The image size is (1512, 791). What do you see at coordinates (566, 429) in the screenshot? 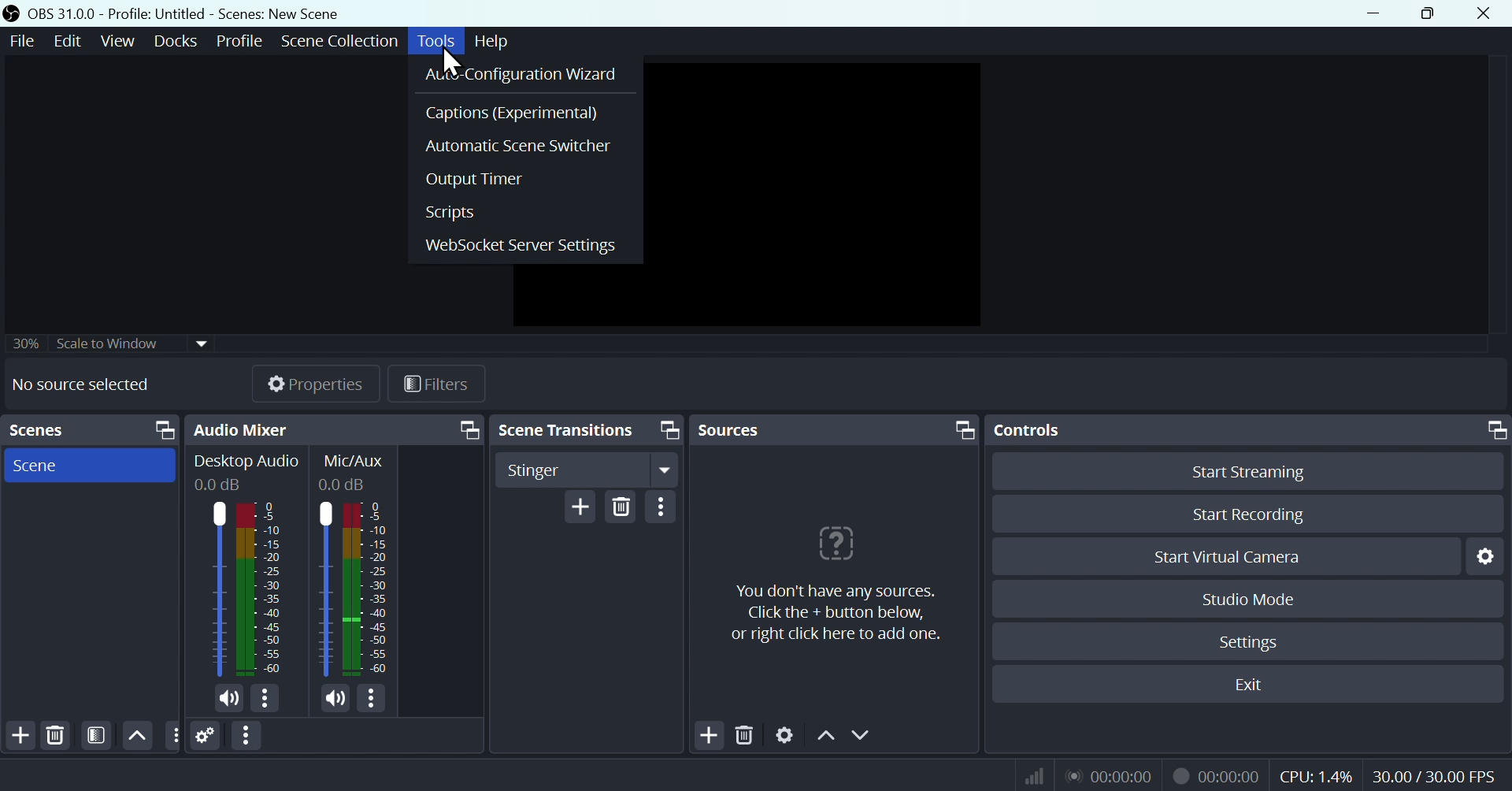
I see `Scene transitions` at bounding box center [566, 429].